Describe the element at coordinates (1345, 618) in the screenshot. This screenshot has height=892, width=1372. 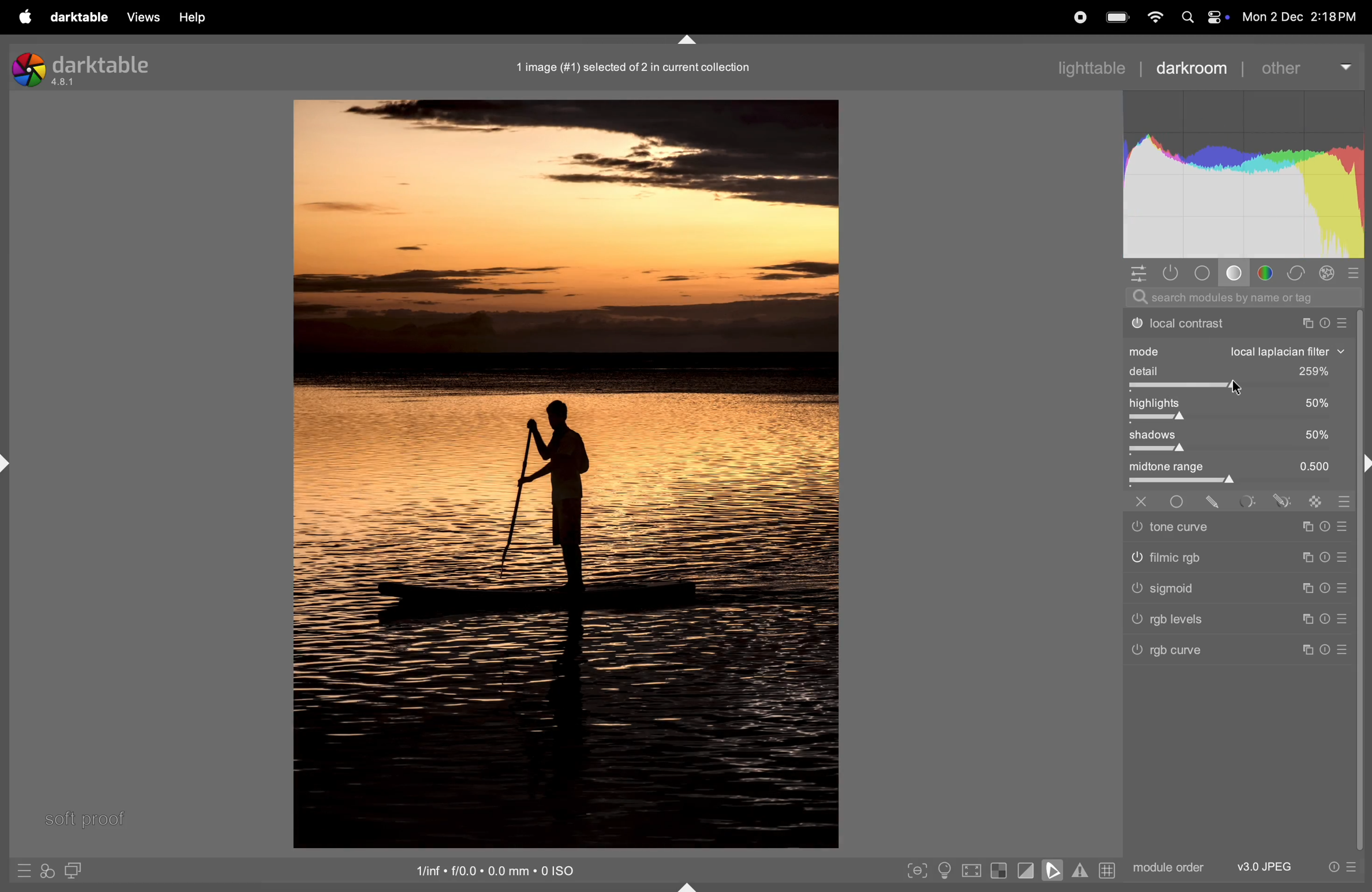
I see `sign ` at that location.